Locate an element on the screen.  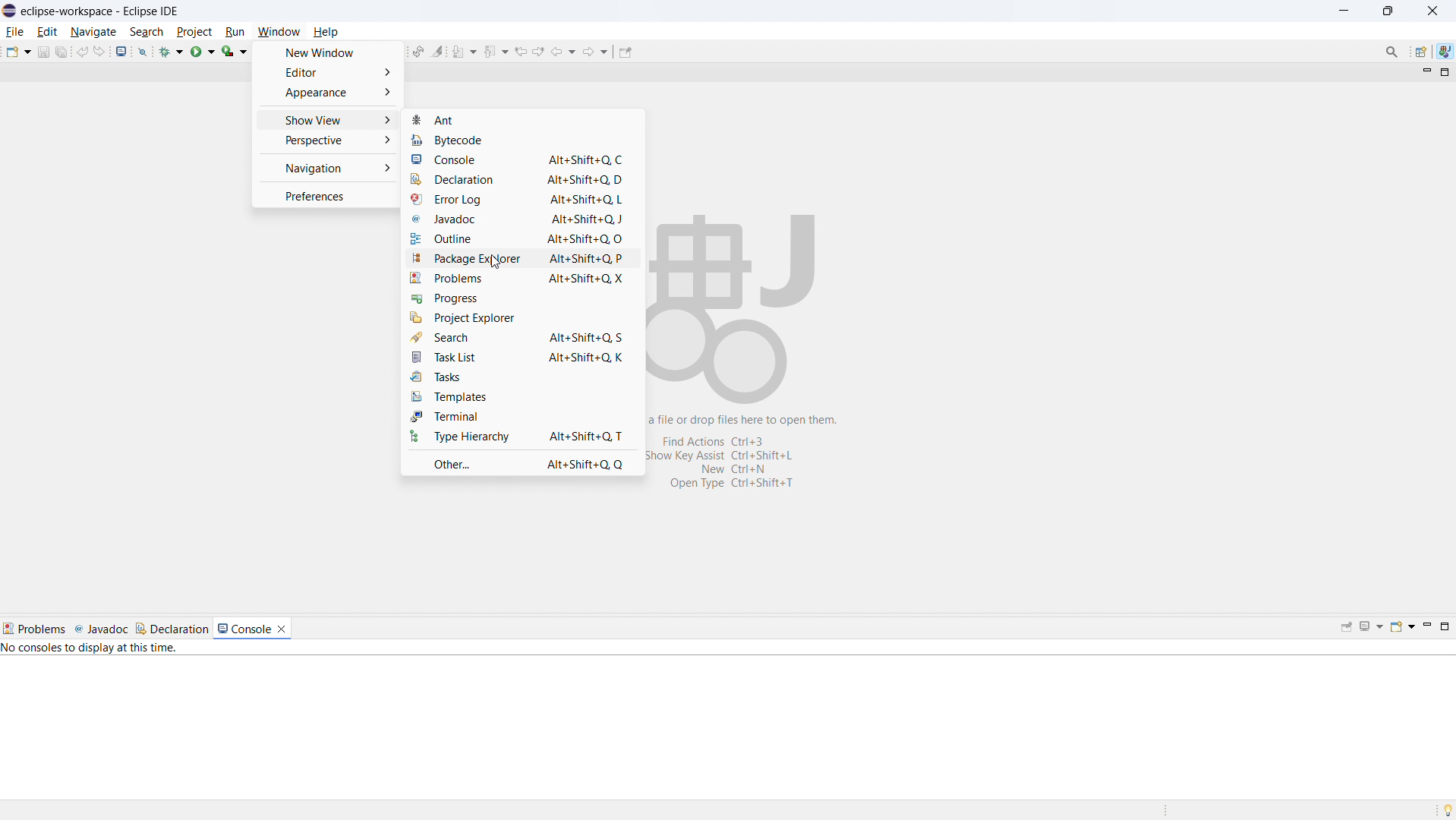
perspective is located at coordinates (326, 140).